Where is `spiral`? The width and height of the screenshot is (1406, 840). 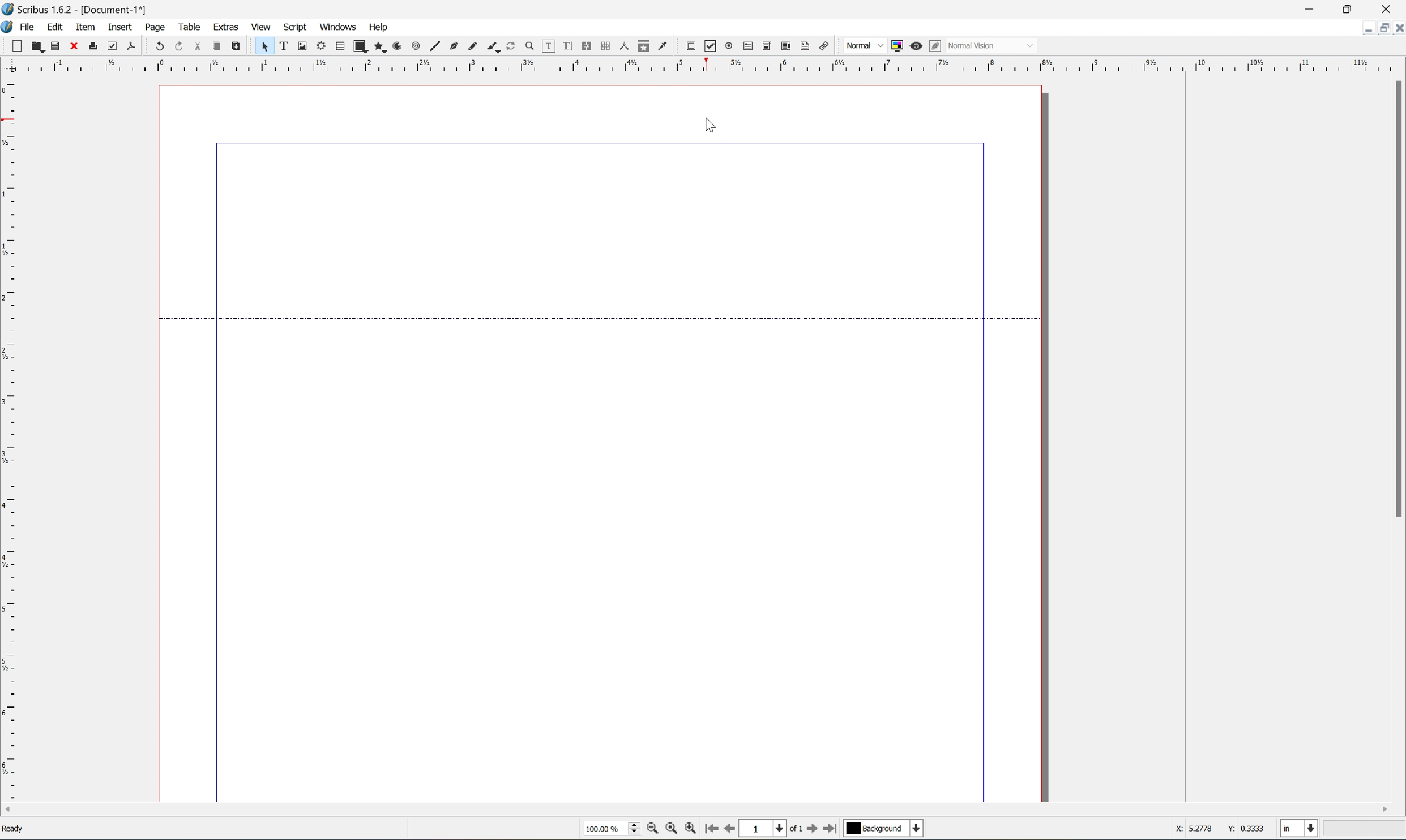 spiral is located at coordinates (416, 47).